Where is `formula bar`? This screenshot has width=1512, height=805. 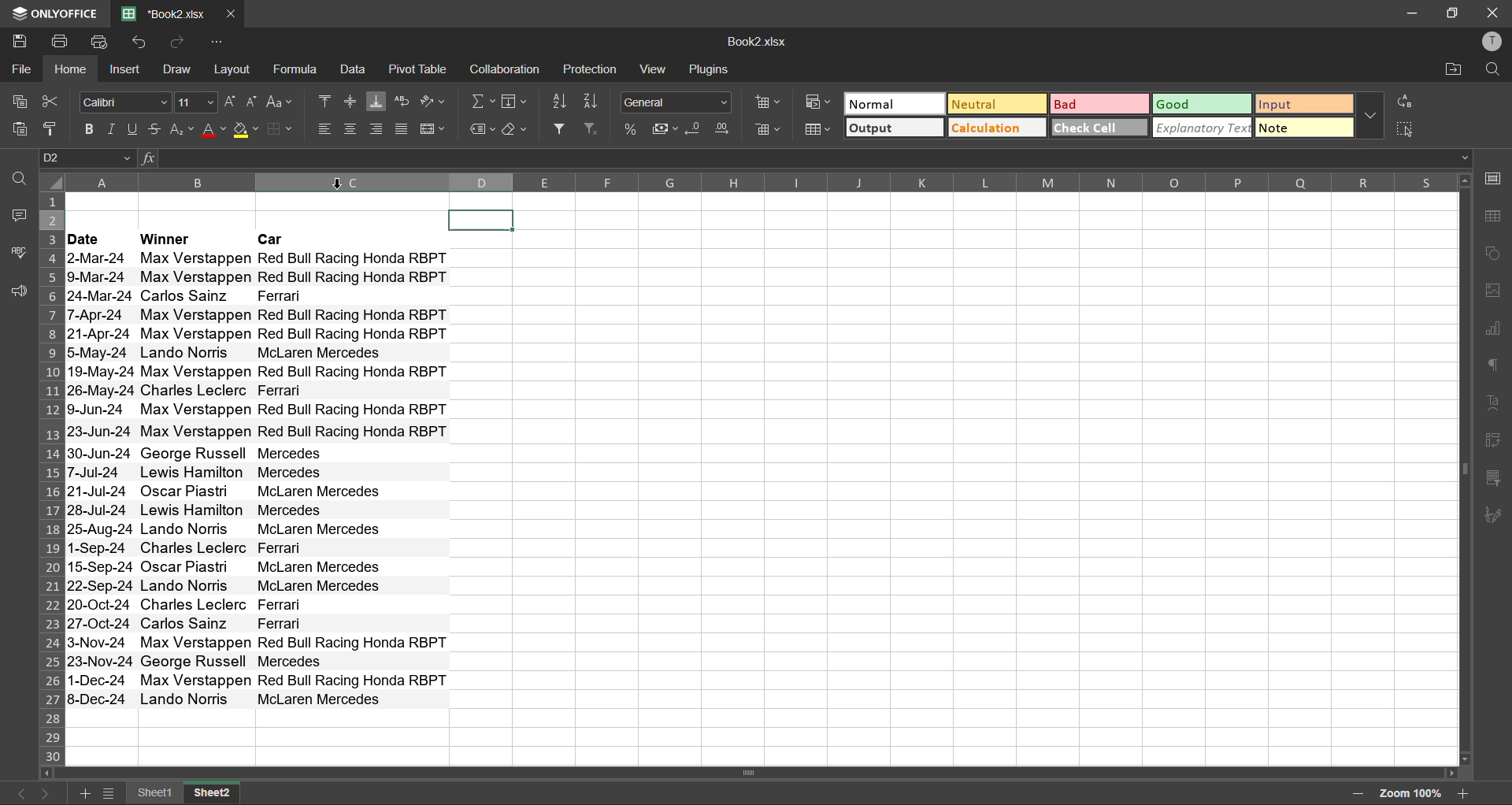 formula bar is located at coordinates (814, 158).